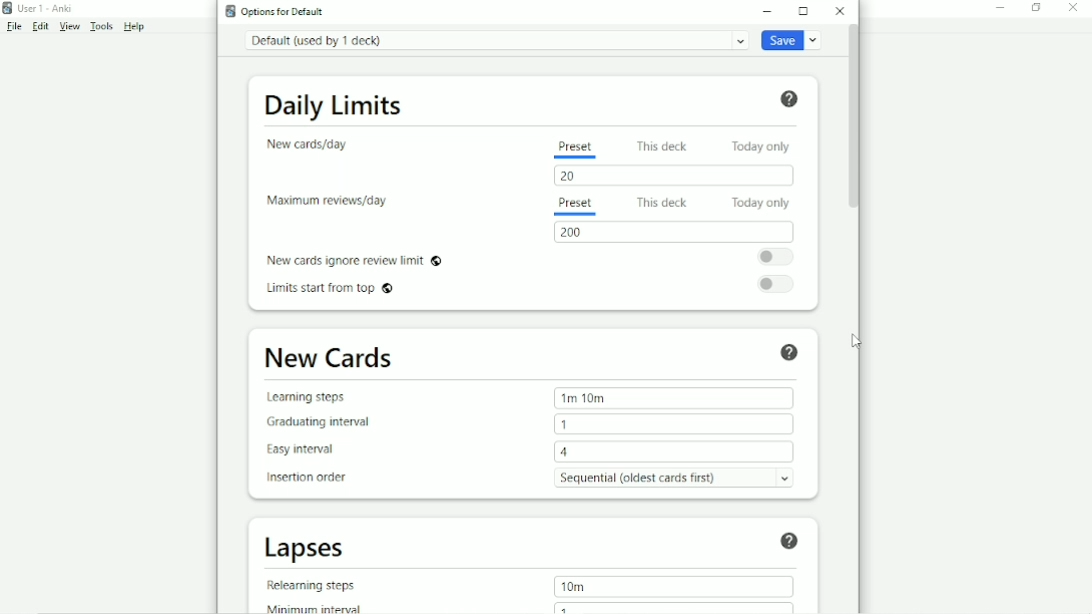  I want to click on File, so click(14, 26).